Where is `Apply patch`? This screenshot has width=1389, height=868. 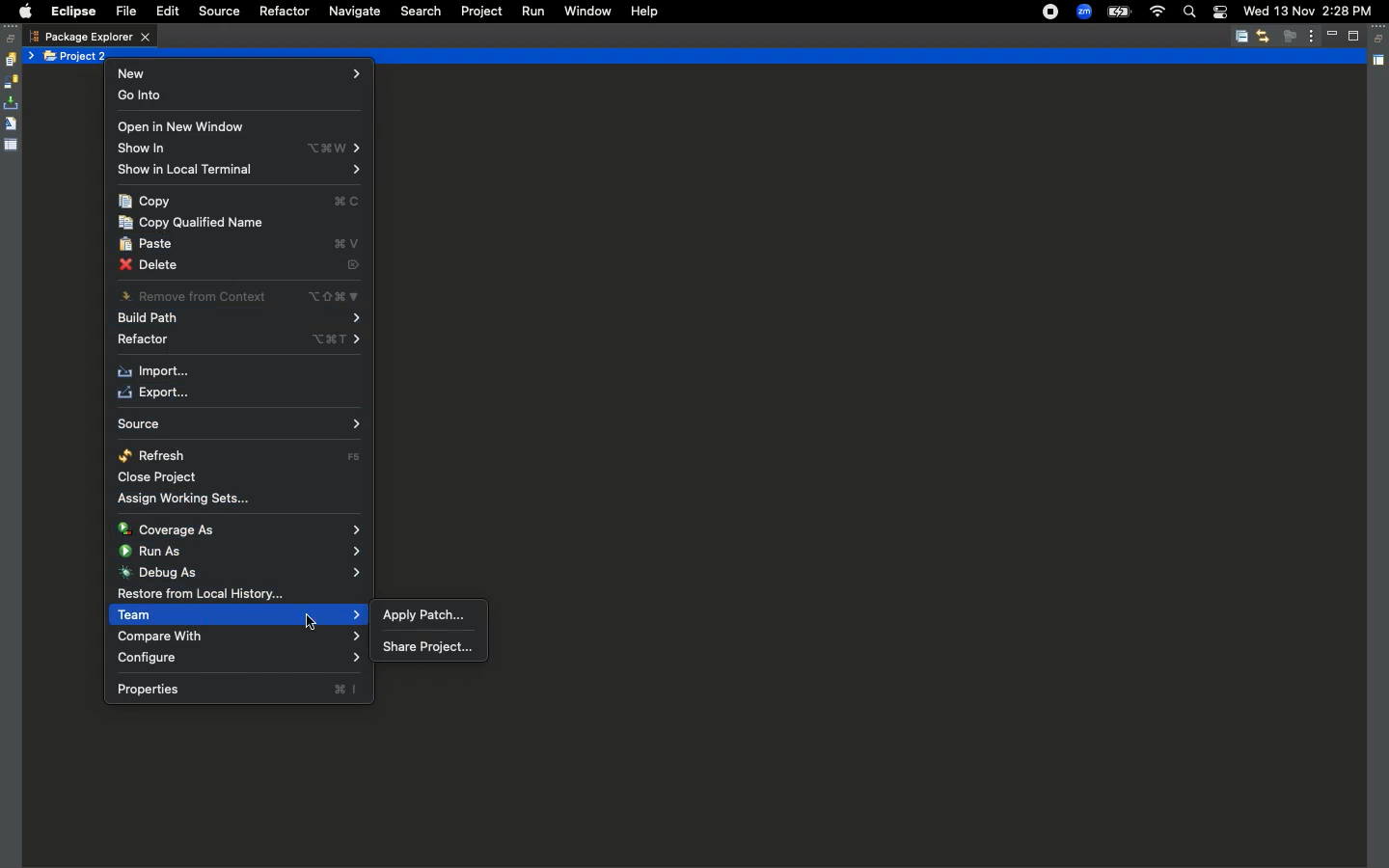 Apply patch is located at coordinates (425, 613).